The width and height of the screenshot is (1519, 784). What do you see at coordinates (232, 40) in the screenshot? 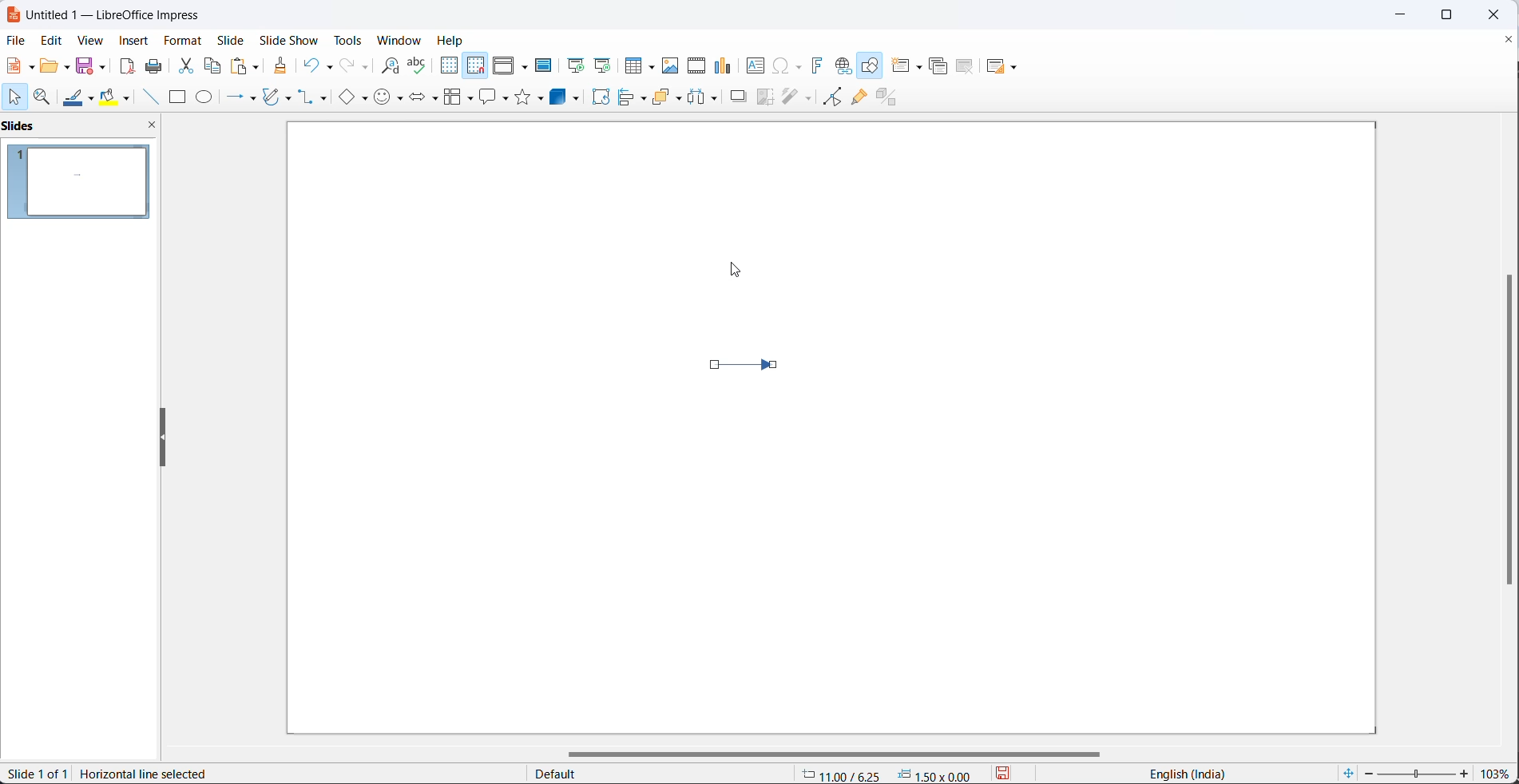
I see `slide` at bounding box center [232, 40].